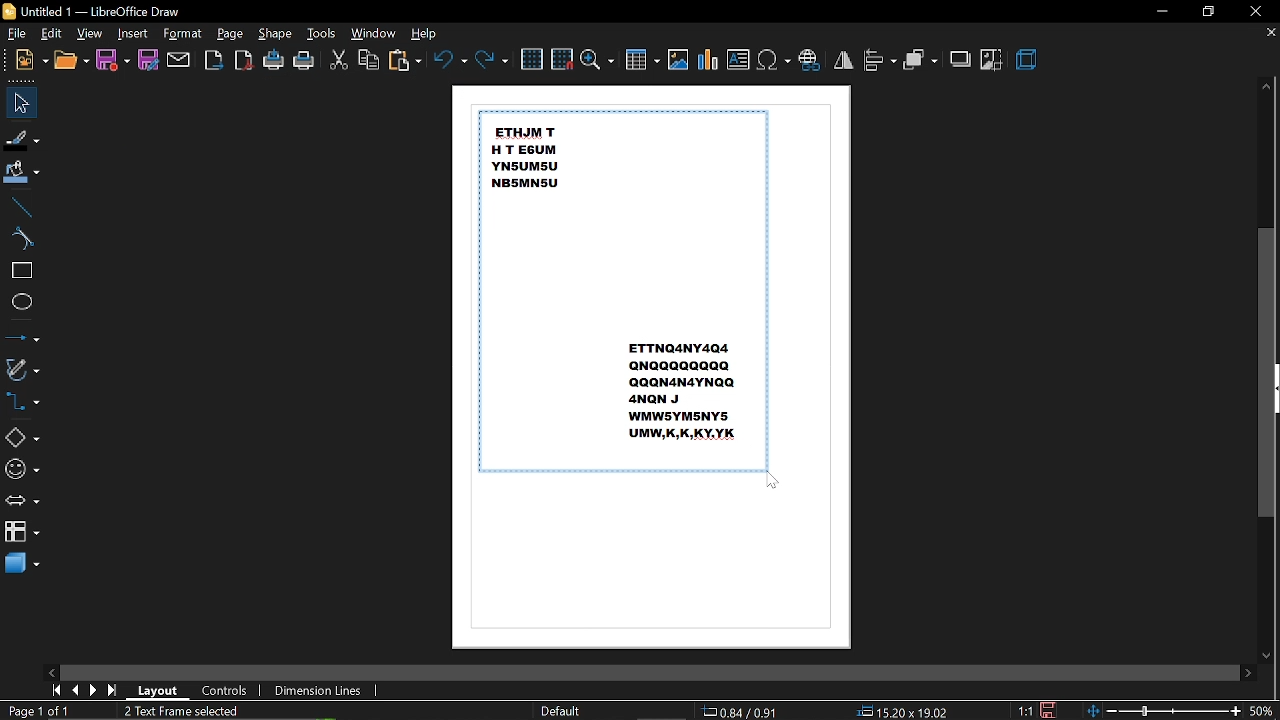 This screenshot has width=1280, height=720. Describe the element at coordinates (339, 60) in the screenshot. I see `cut ` at that location.